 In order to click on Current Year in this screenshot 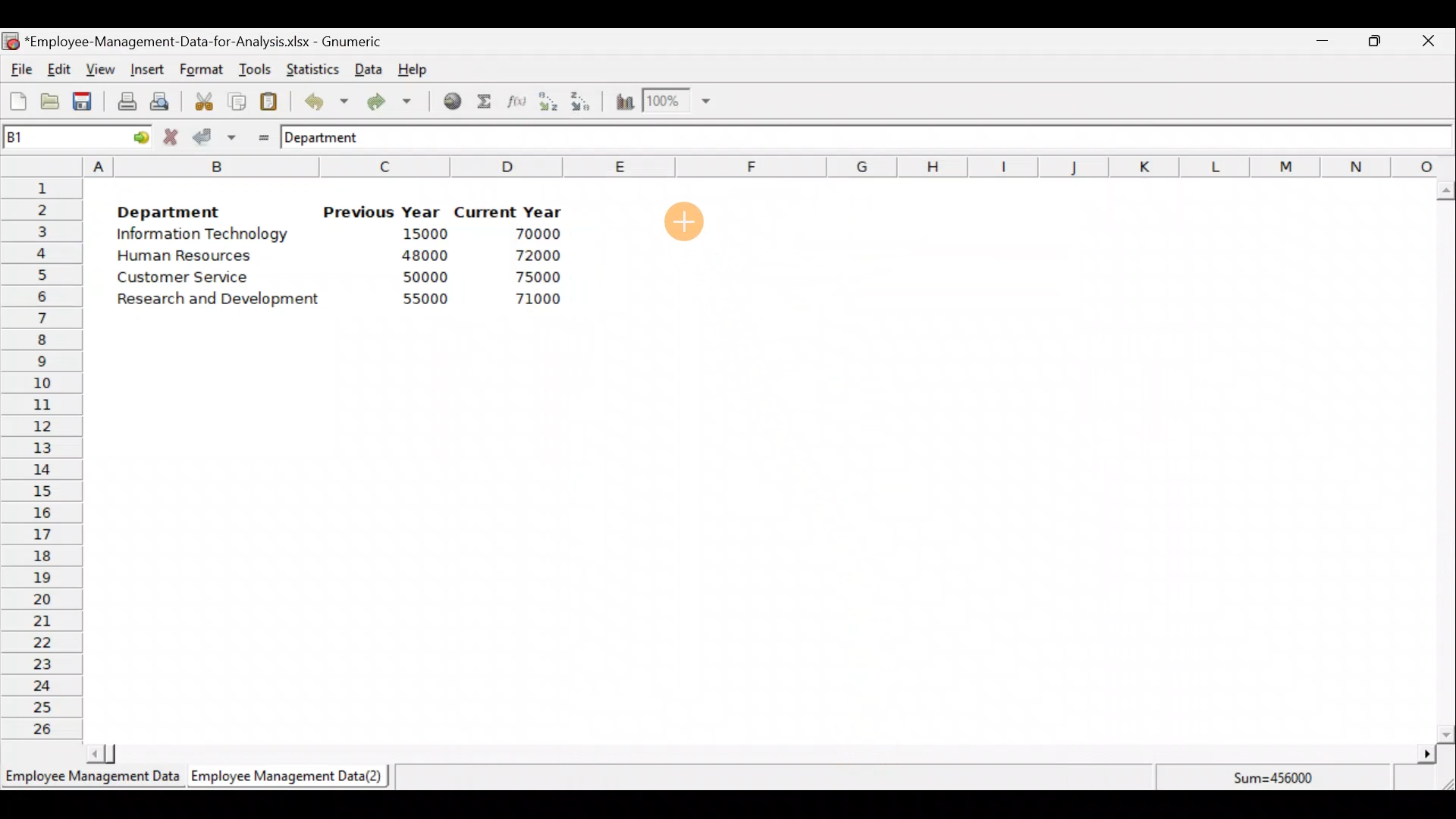, I will do `click(510, 210)`.